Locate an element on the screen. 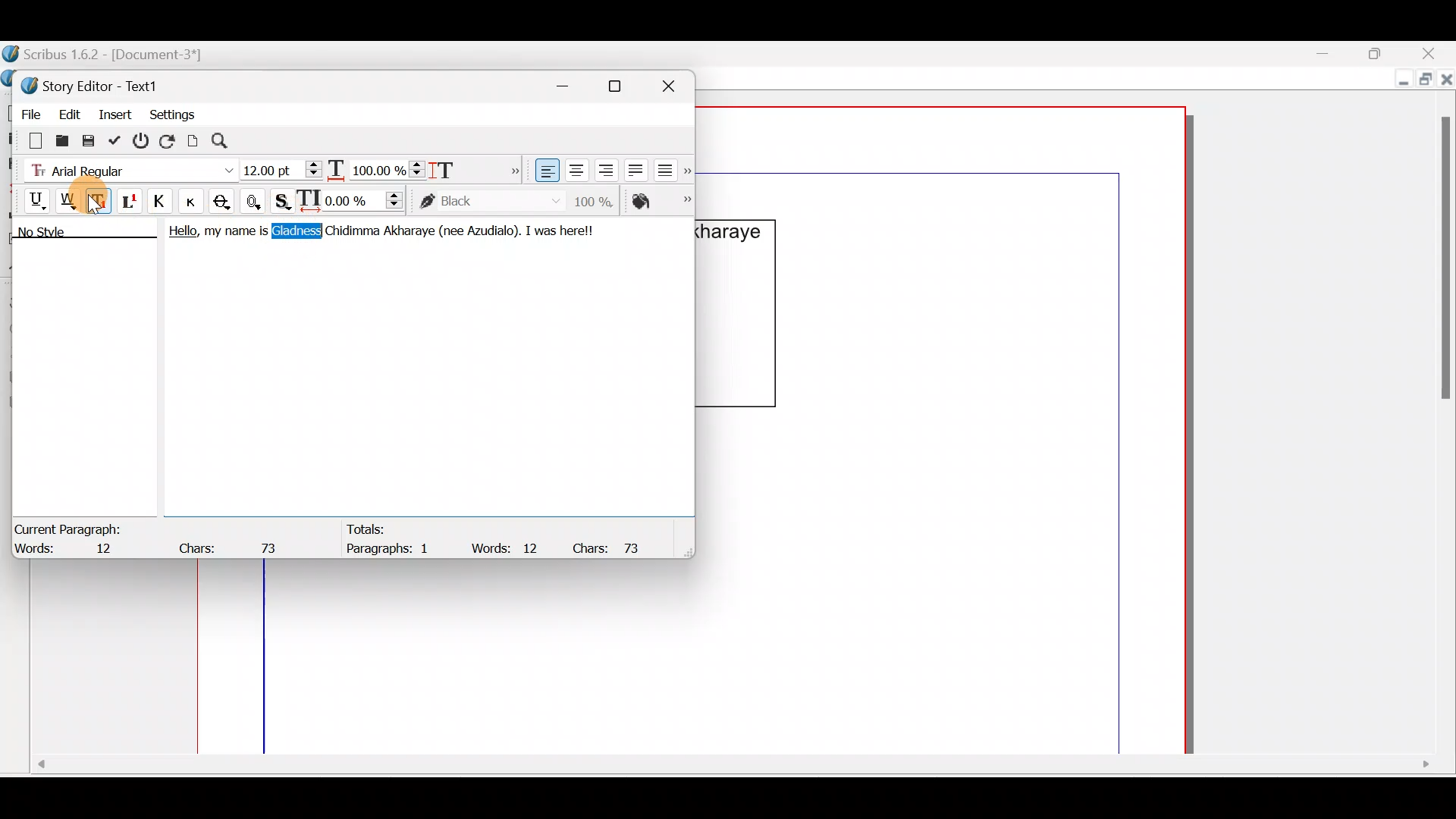  Update text frame and exit is located at coordinates (118, 138).